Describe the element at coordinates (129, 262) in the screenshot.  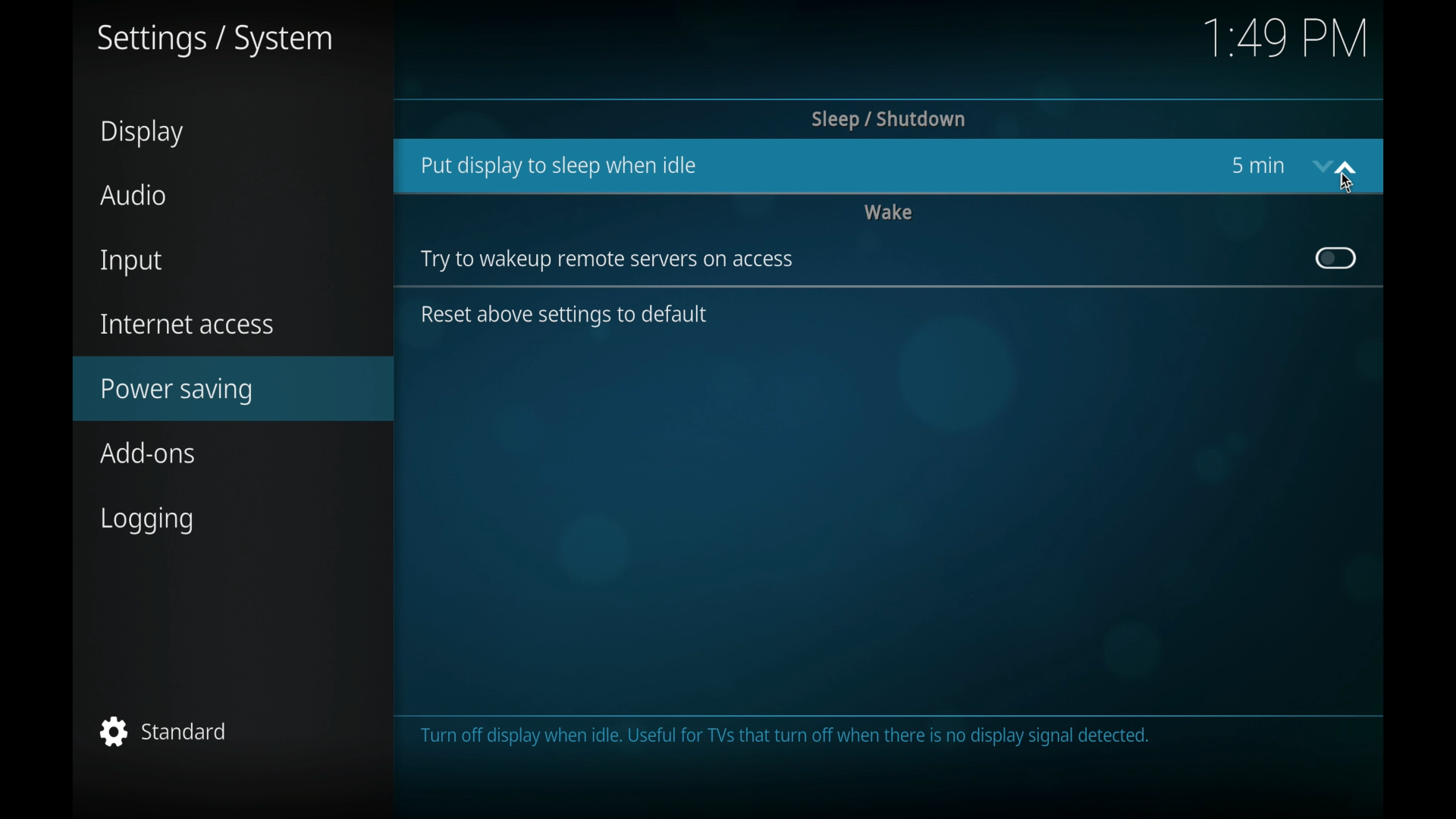
I see `input` at that location.